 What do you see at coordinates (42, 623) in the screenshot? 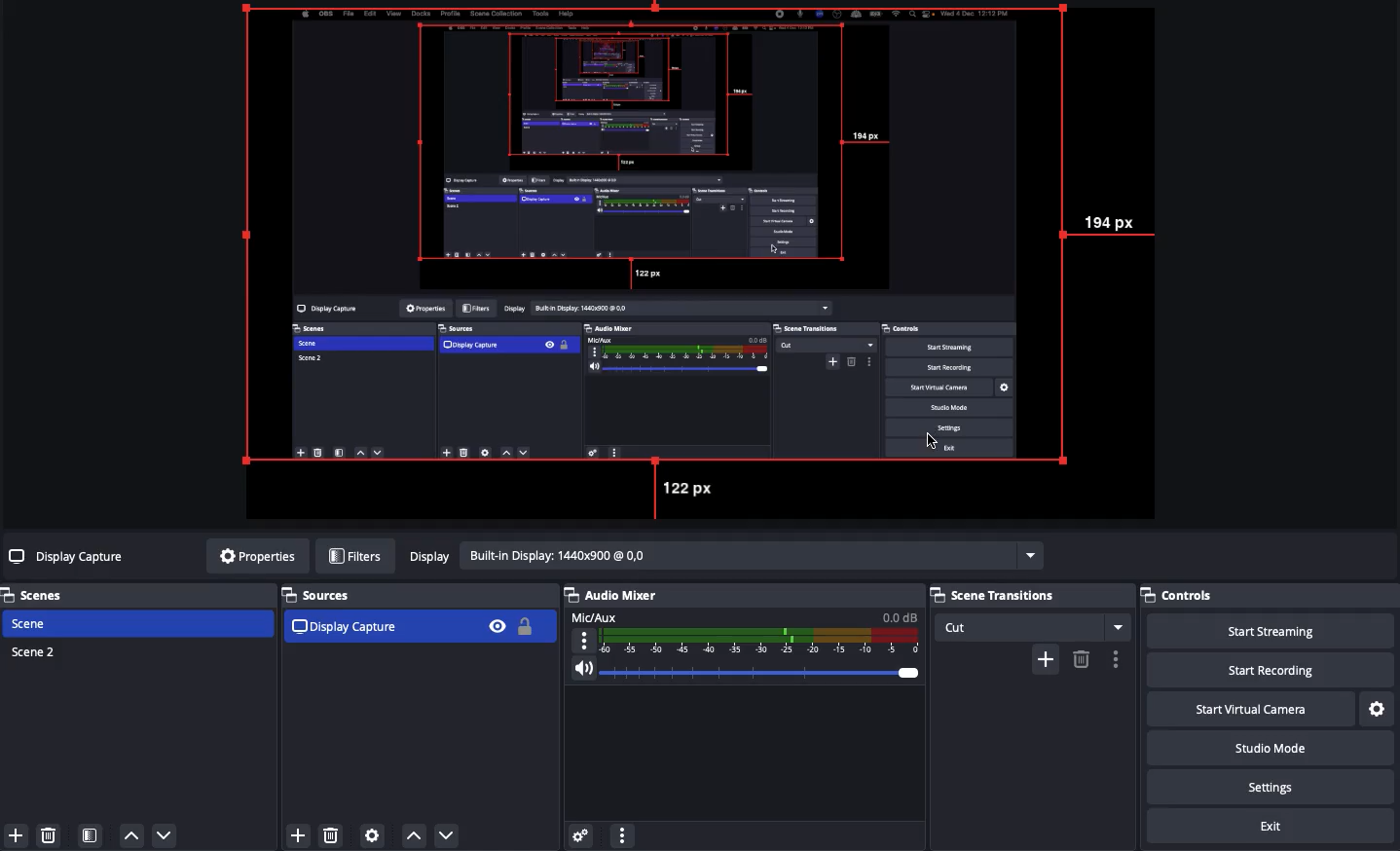
I see `Scene 1` at bounding box center [42, 623].